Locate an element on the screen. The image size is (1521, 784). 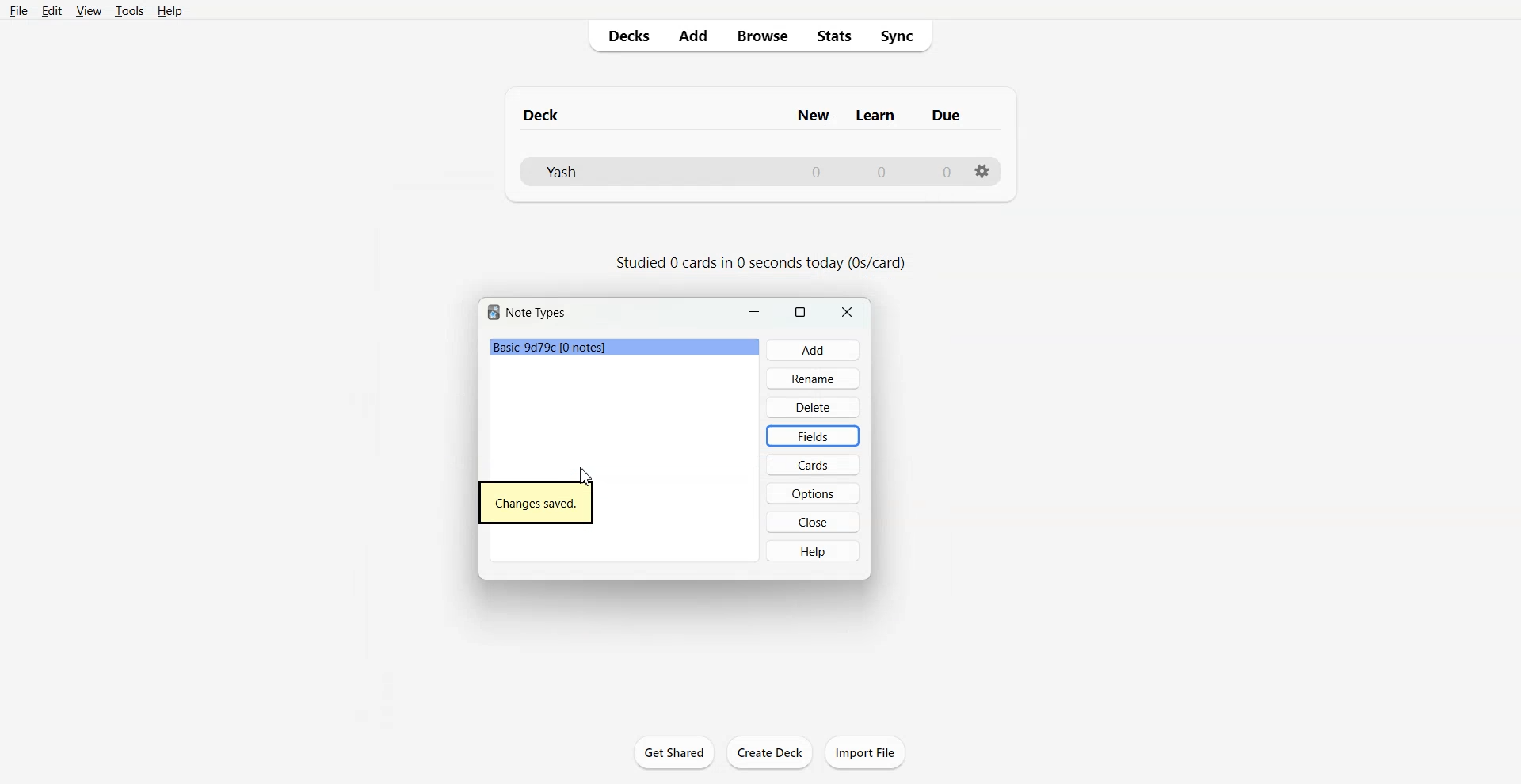
Help is located at coordinates (170, 11).